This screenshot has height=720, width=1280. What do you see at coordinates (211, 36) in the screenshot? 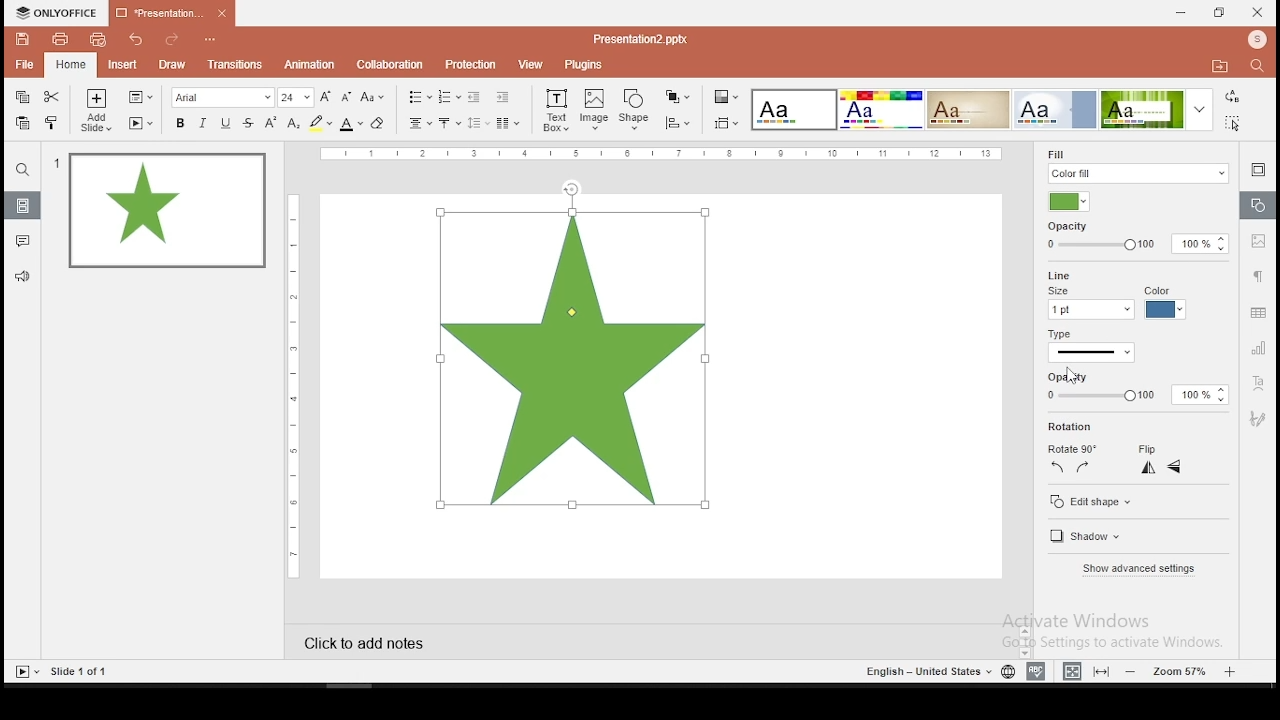
I see `customize quick access toolbar` at bounding box center [211, 36].